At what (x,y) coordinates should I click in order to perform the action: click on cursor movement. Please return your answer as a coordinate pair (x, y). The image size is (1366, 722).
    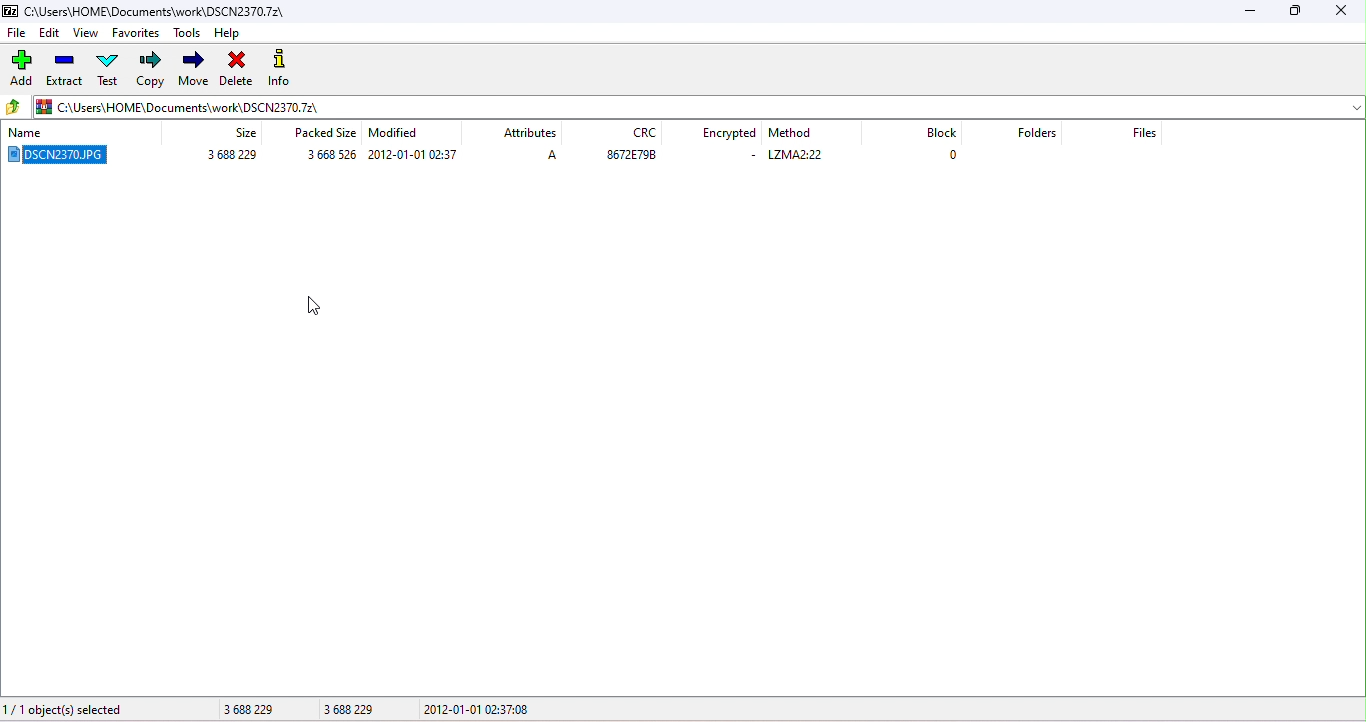
    Looking at the image, I should click on (310, 306).